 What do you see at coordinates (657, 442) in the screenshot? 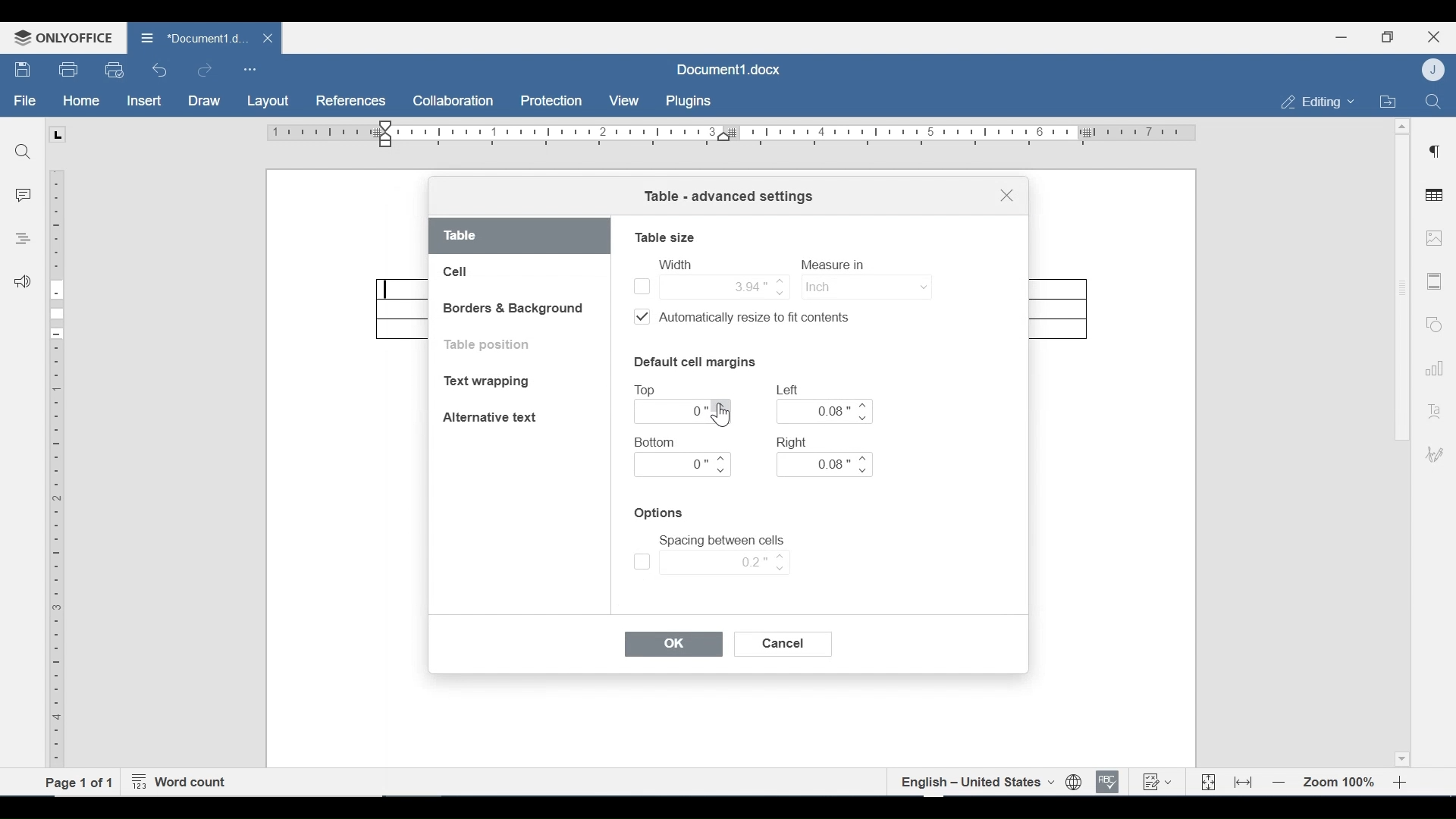
I see `Bottom` at bounding box center [657, 442].